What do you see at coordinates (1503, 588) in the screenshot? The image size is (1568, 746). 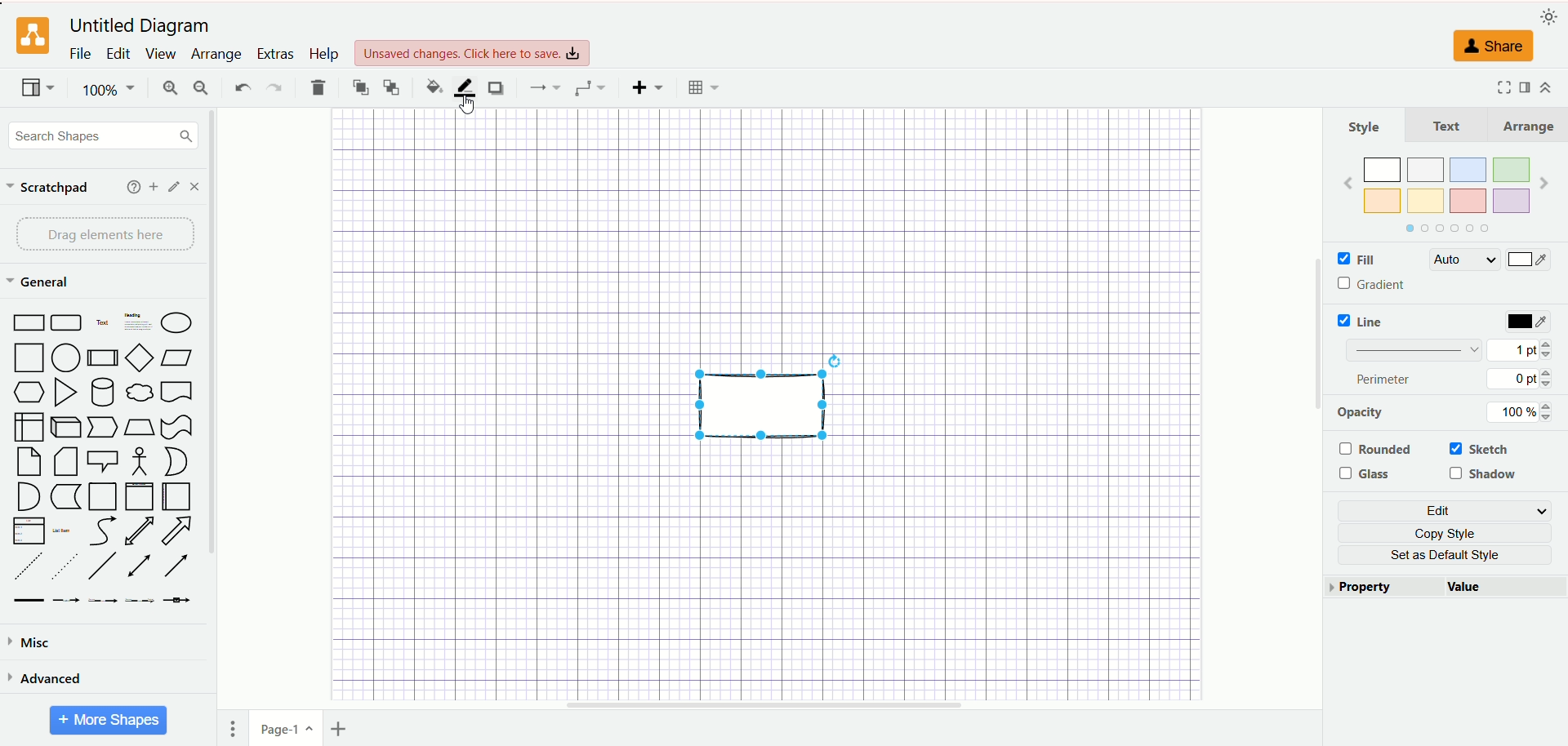 I see `value` at bounding box center [1503, 588].